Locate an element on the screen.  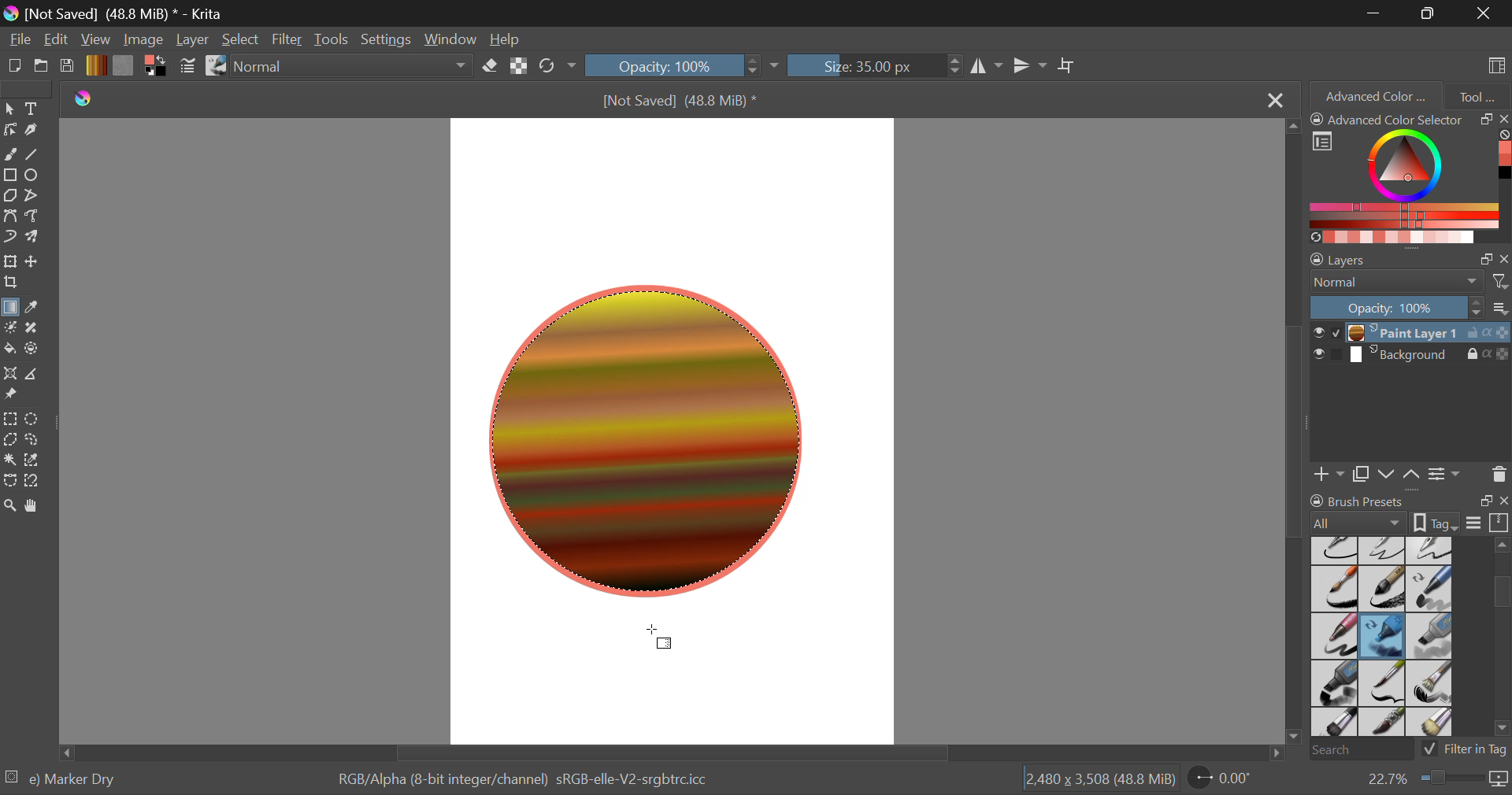
Bezier Curve Selection is located at coordinates (9, 481).